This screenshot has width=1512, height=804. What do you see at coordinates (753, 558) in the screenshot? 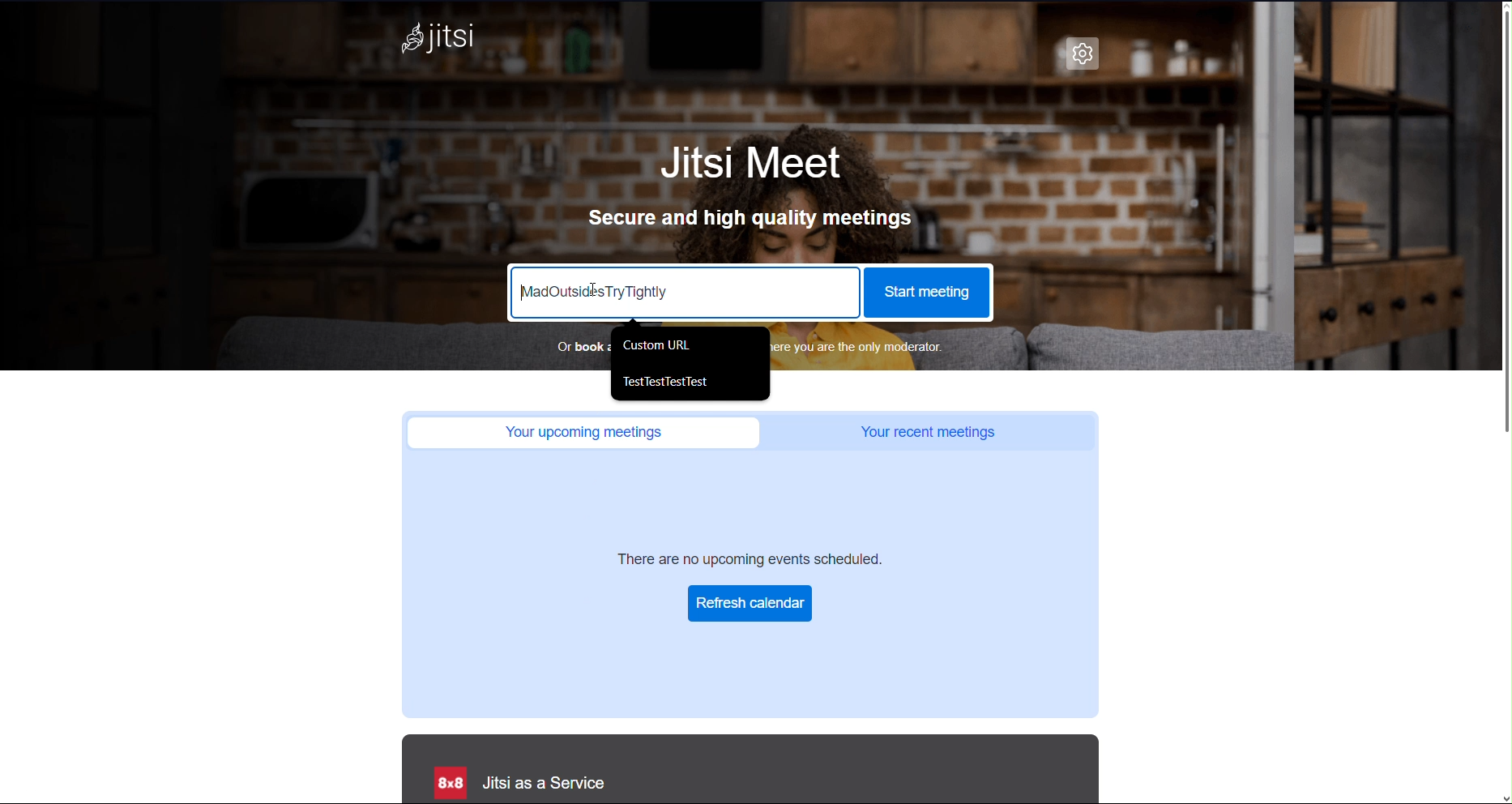
I see `There are no upcoming events scheduled` at bounding box center [753, 558].